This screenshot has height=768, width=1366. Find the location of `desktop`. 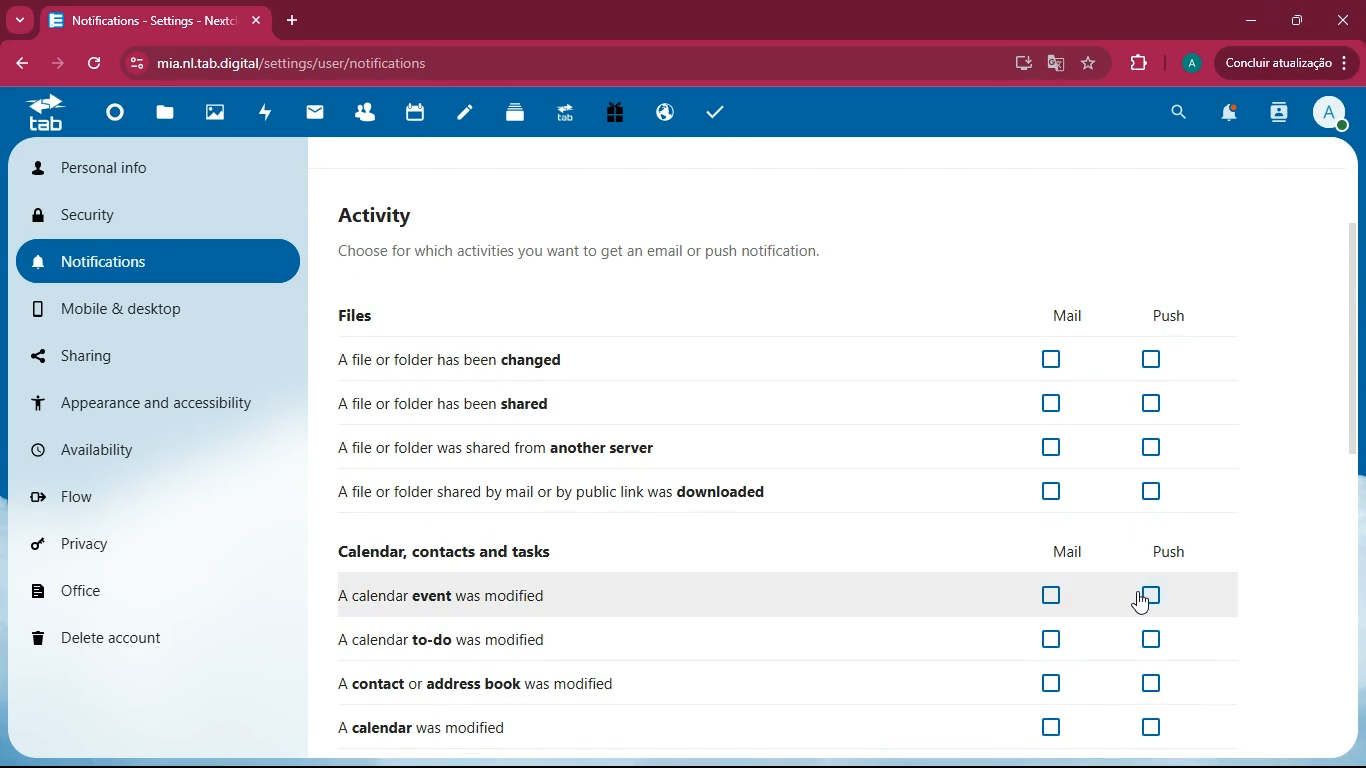

desktop is located at coordinates (1020, 65).